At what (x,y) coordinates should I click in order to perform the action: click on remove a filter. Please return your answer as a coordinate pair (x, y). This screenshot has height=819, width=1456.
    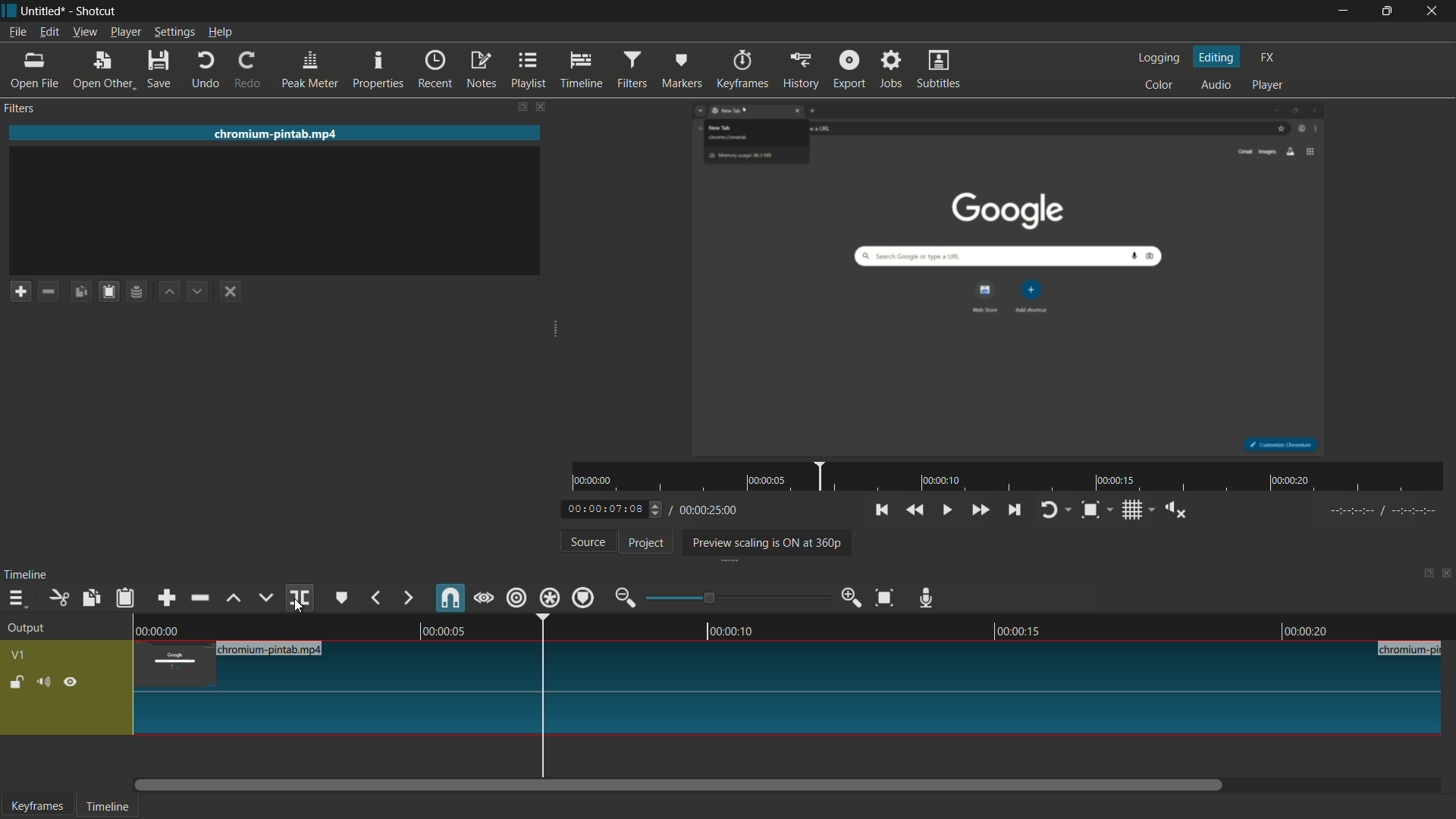
    Looking at the image, I should click on (47, 291).